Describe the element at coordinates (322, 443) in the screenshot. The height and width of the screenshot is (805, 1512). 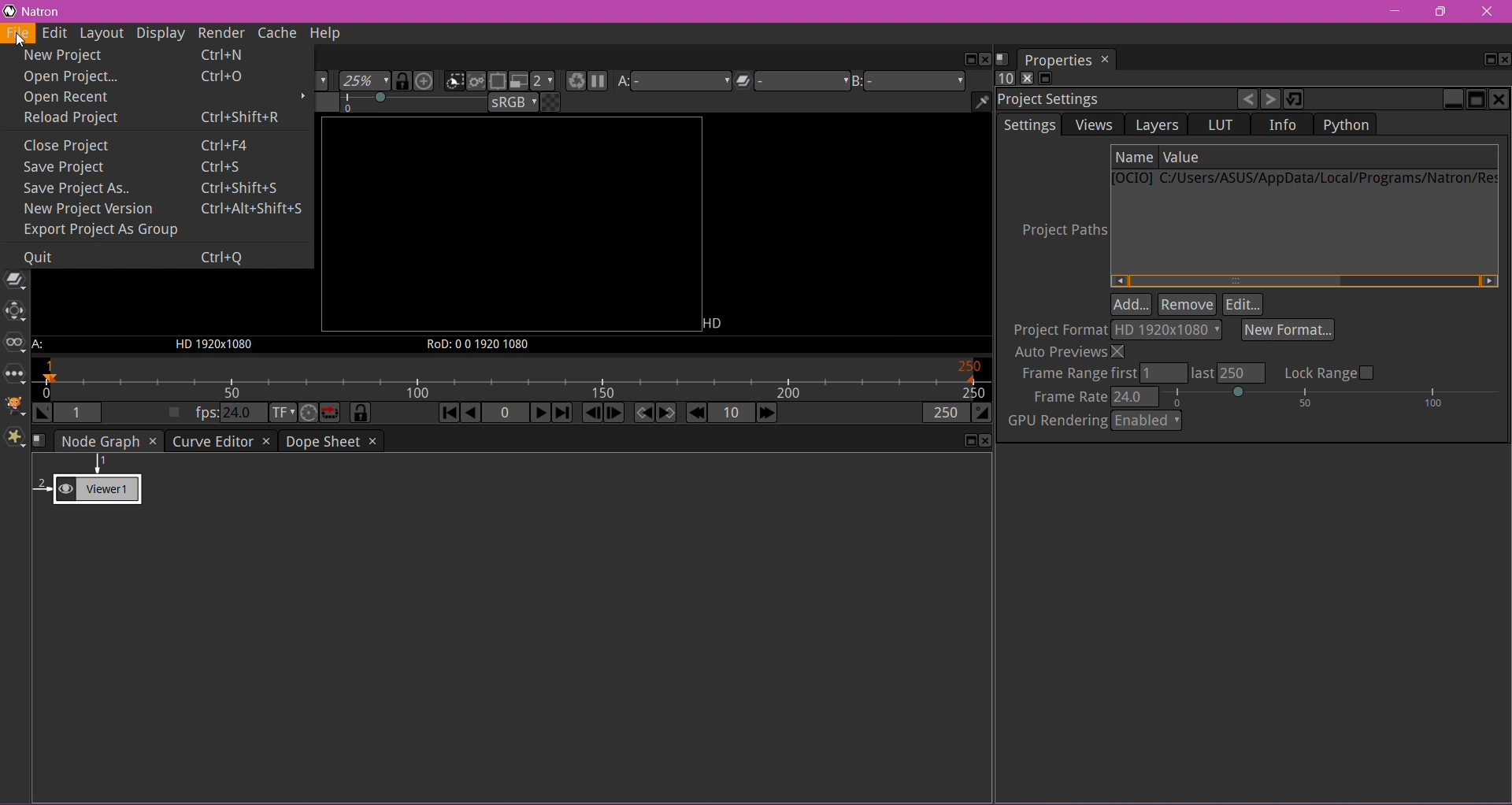
I see `Dope Sheet` at that location.